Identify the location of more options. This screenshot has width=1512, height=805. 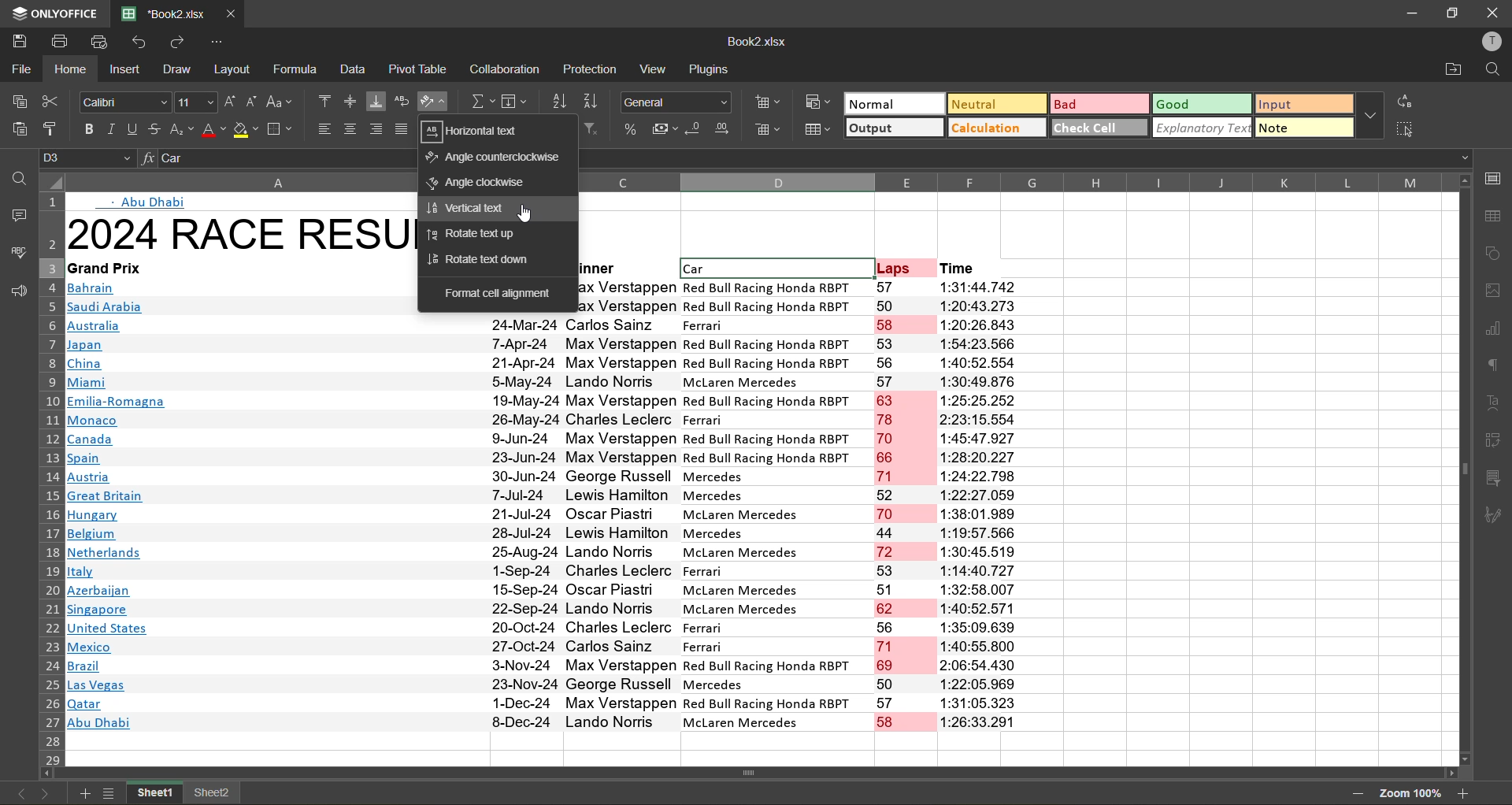
(1372, 114).